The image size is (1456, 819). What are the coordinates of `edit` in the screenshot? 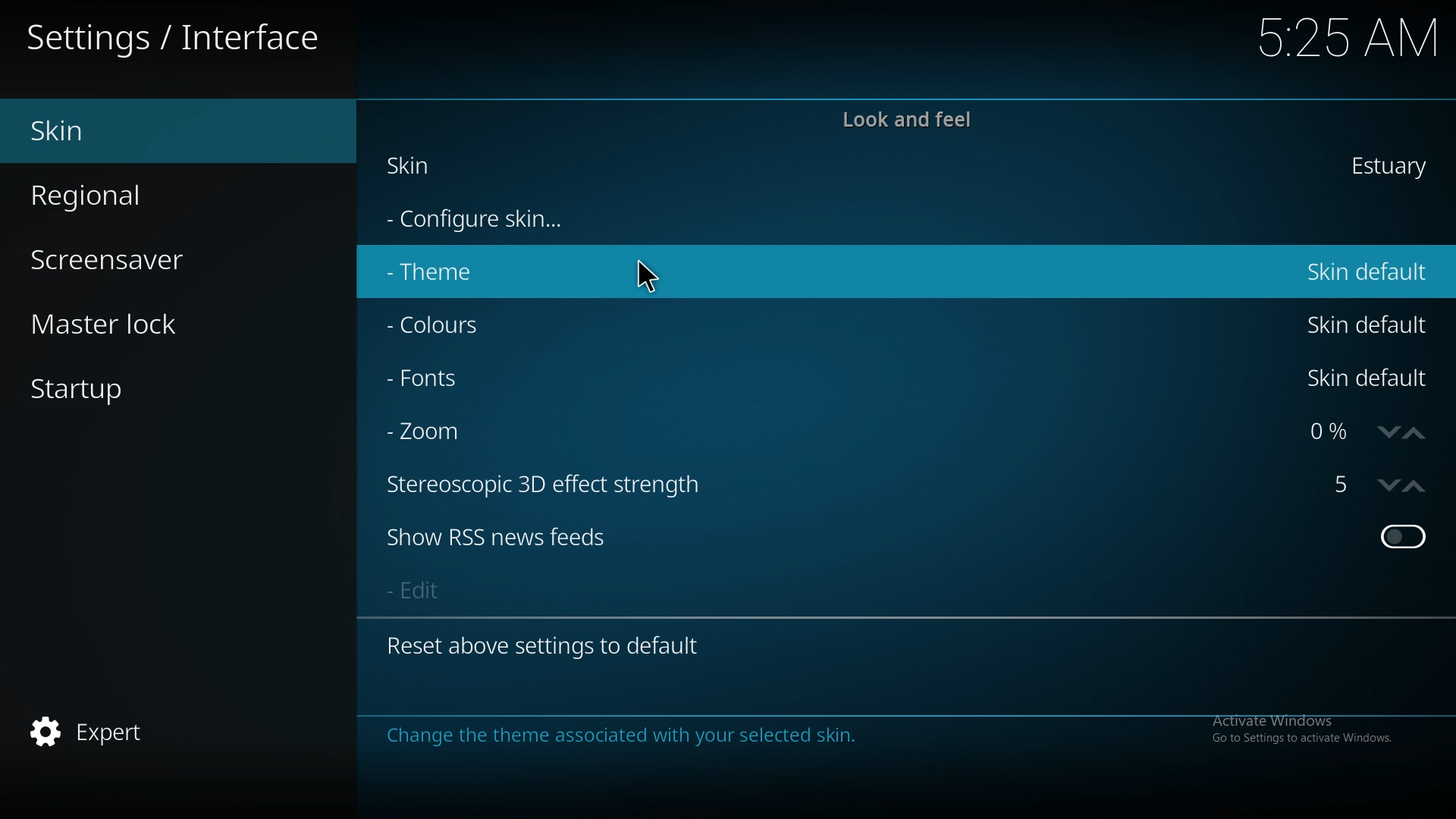 It's located at (453, 590).